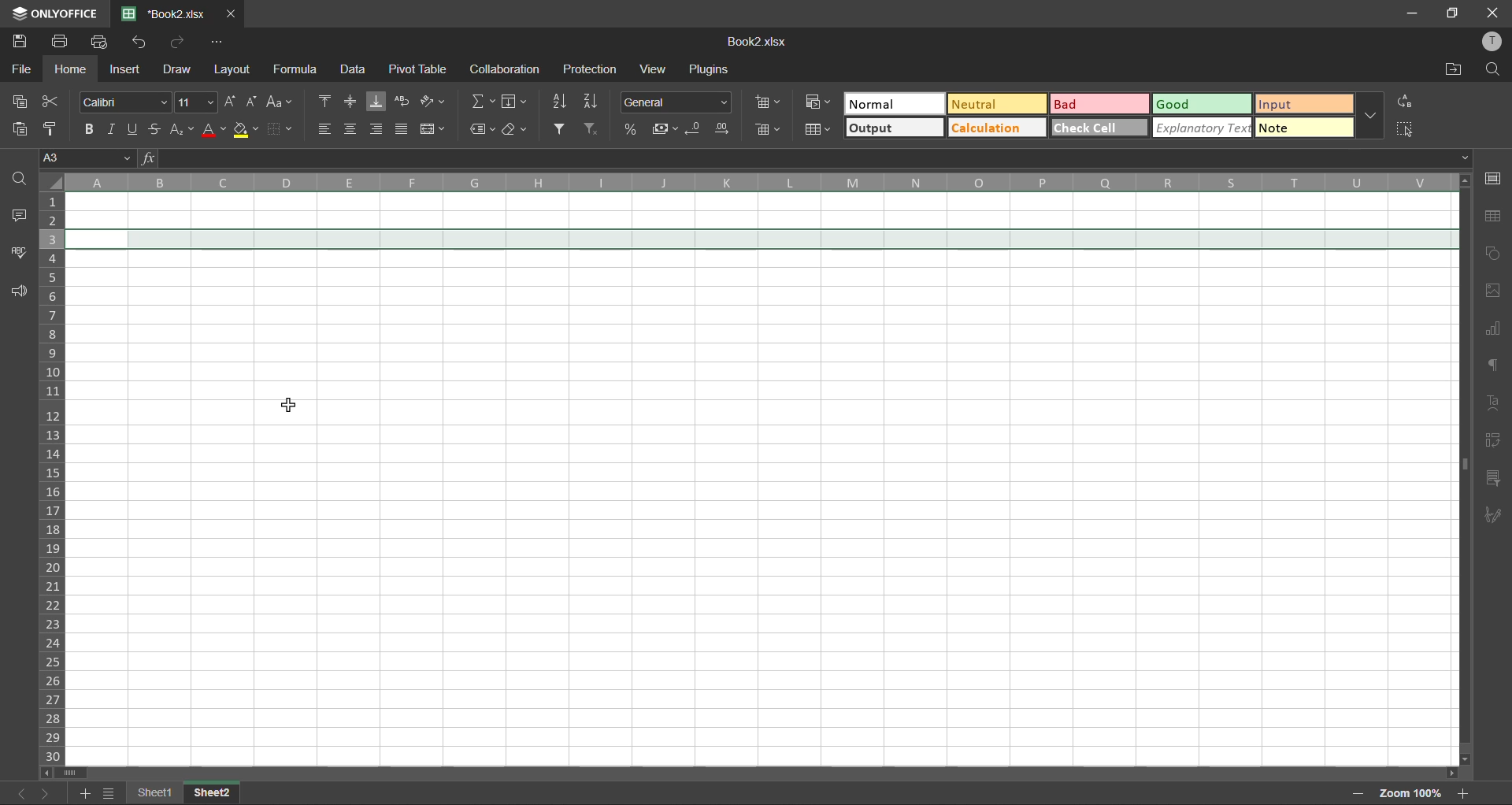 This screenshot has height=805, width=1512. What do you see at coordinates (592, 69) in the screenshot?
I see `protection` at bounding box center [592, 69].